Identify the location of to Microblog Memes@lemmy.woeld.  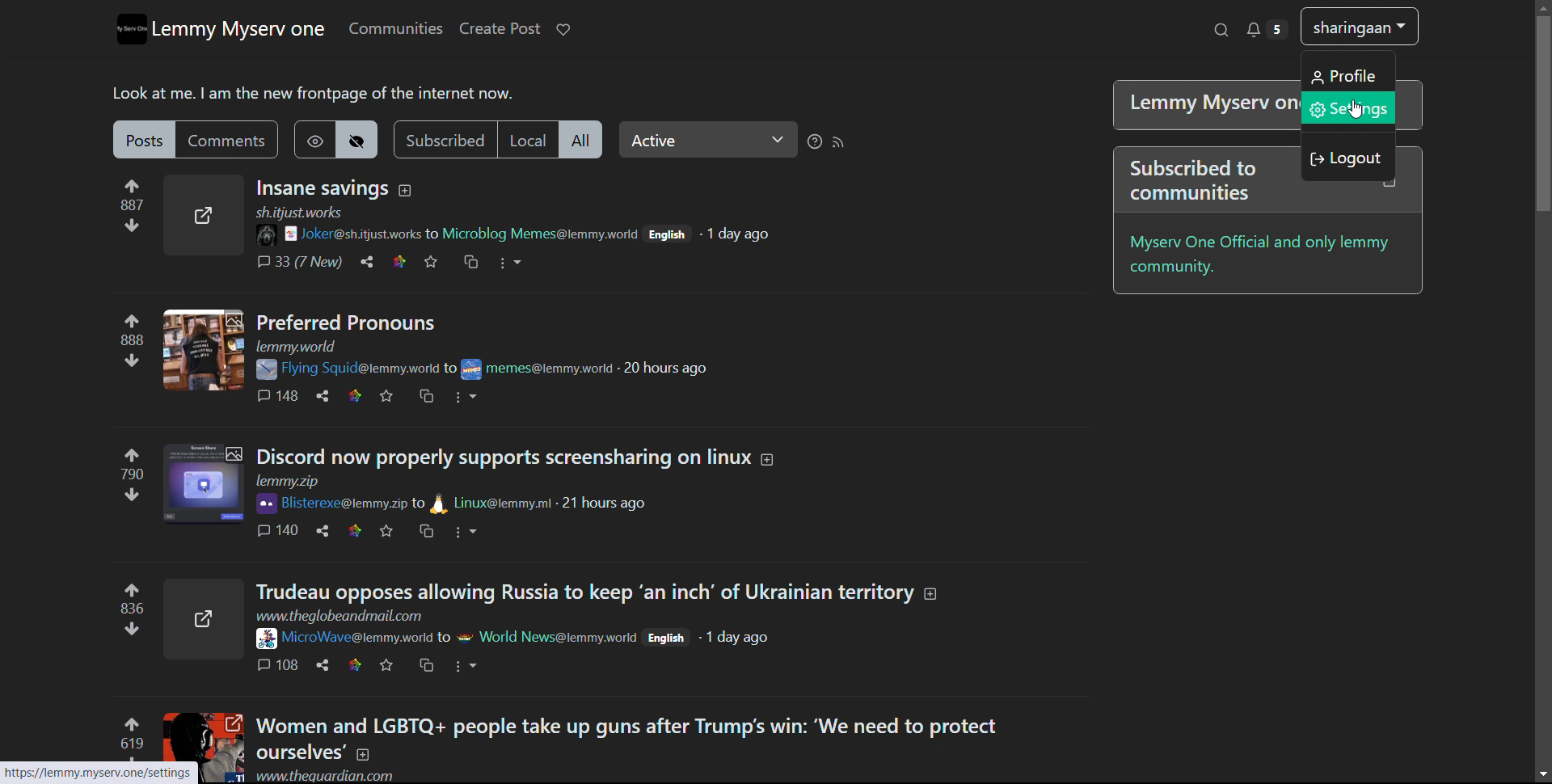
(532, 234).